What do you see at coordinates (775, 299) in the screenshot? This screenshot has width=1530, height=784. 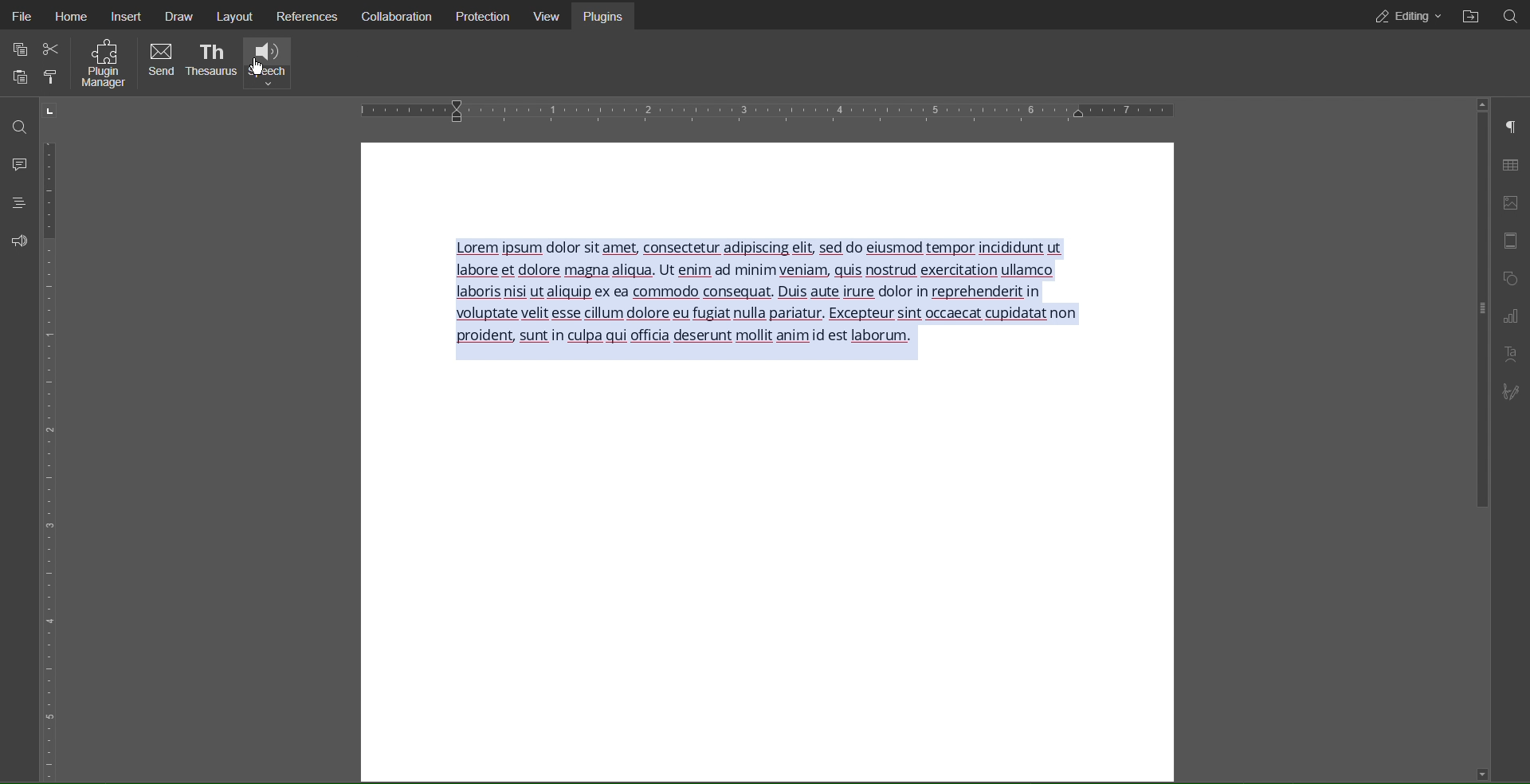 I see `Lorem ipsum dolor sit amet ... Selected Paragrapgh` at bounding box center [775, 299].